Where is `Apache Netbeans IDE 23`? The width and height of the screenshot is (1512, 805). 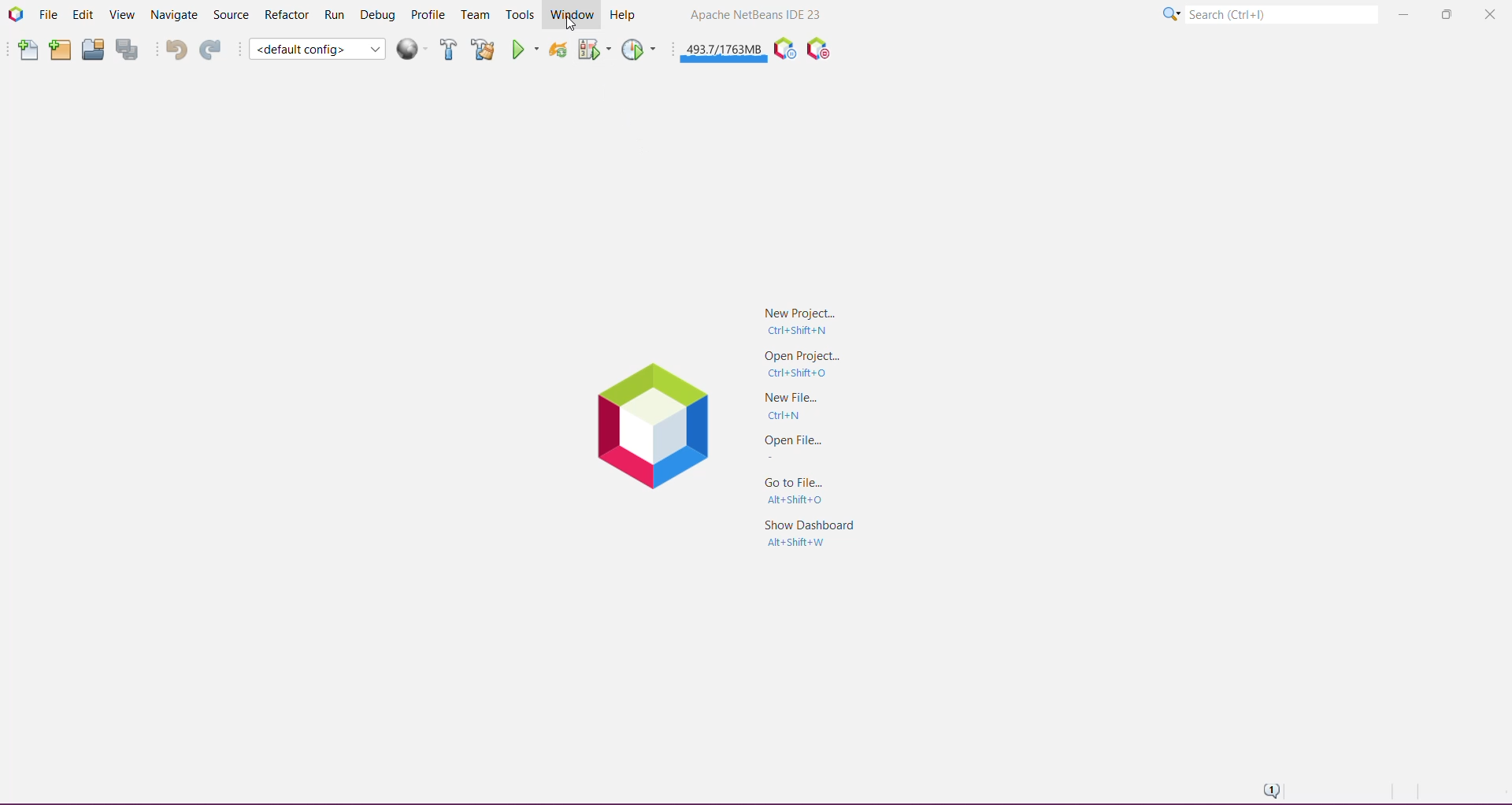
Apache Netbeans IDE 23 is located at coordinates (757, 16).